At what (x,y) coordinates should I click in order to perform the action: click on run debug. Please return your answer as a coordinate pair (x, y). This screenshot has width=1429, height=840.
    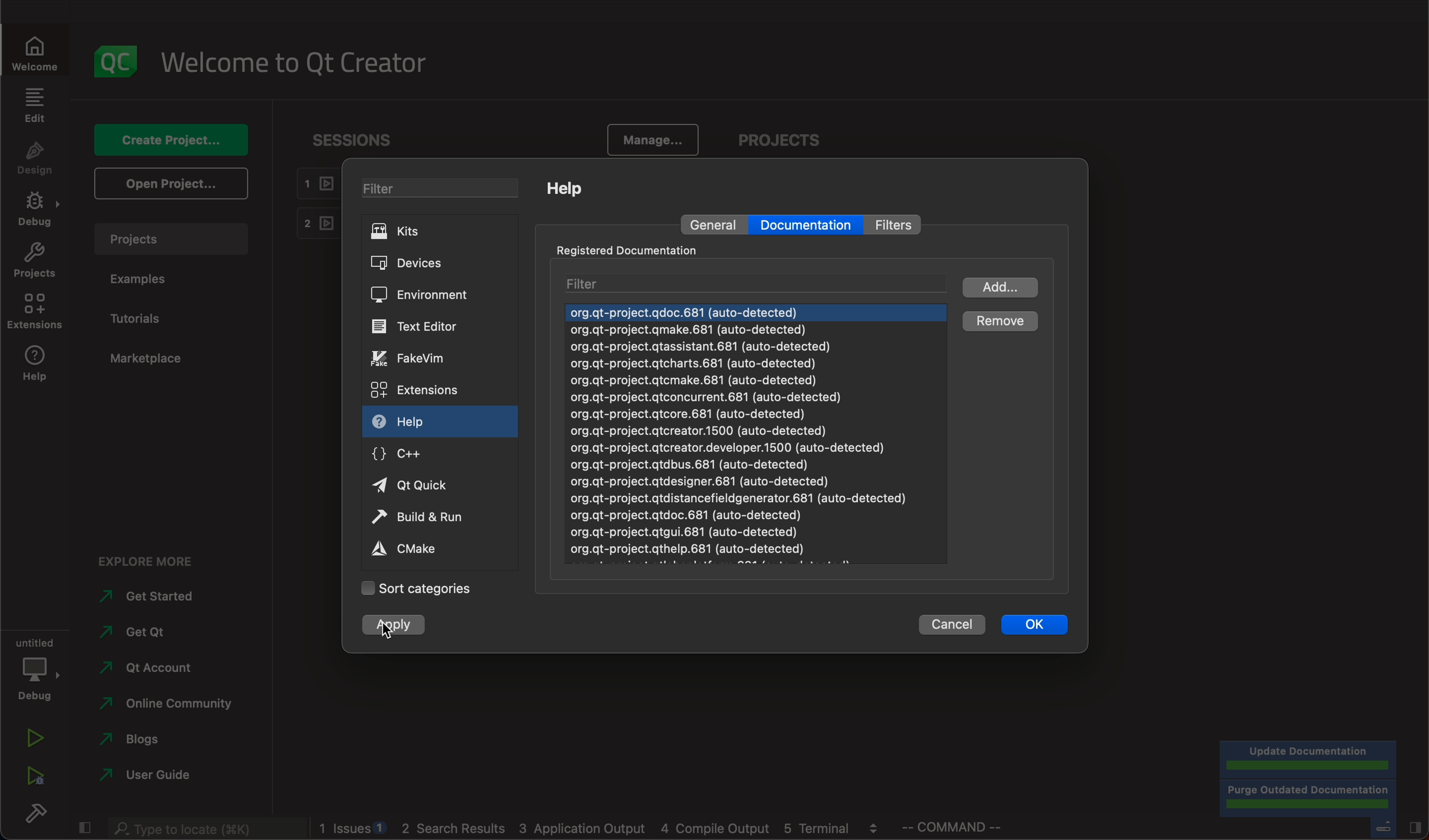
    Looking at the image, I should click on (34, 776).